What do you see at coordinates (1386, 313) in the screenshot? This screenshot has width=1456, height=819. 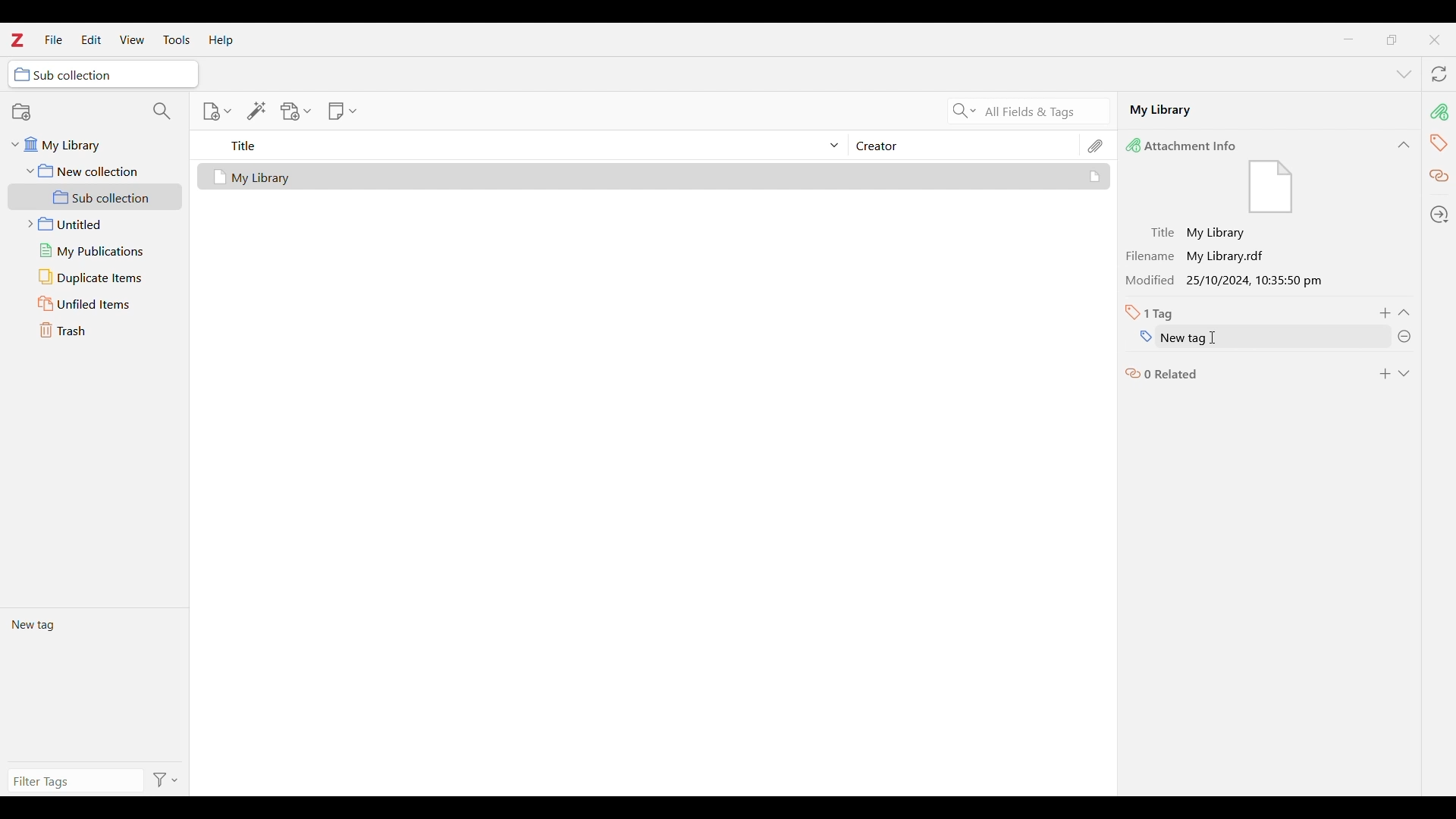 I see `Add` at bounding box center [1386, 313].